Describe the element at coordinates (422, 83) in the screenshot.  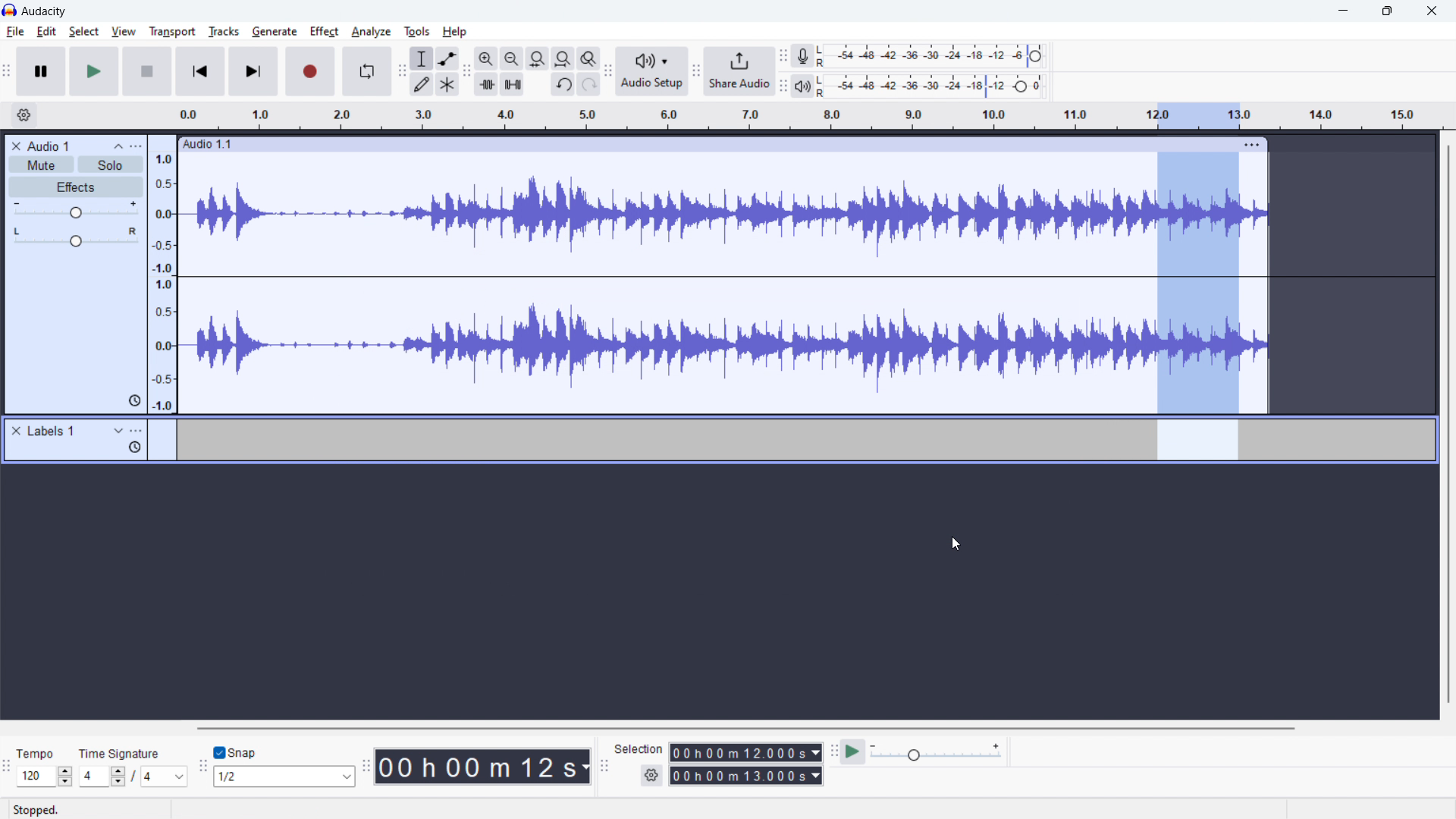
I see `draw tool` at that location.